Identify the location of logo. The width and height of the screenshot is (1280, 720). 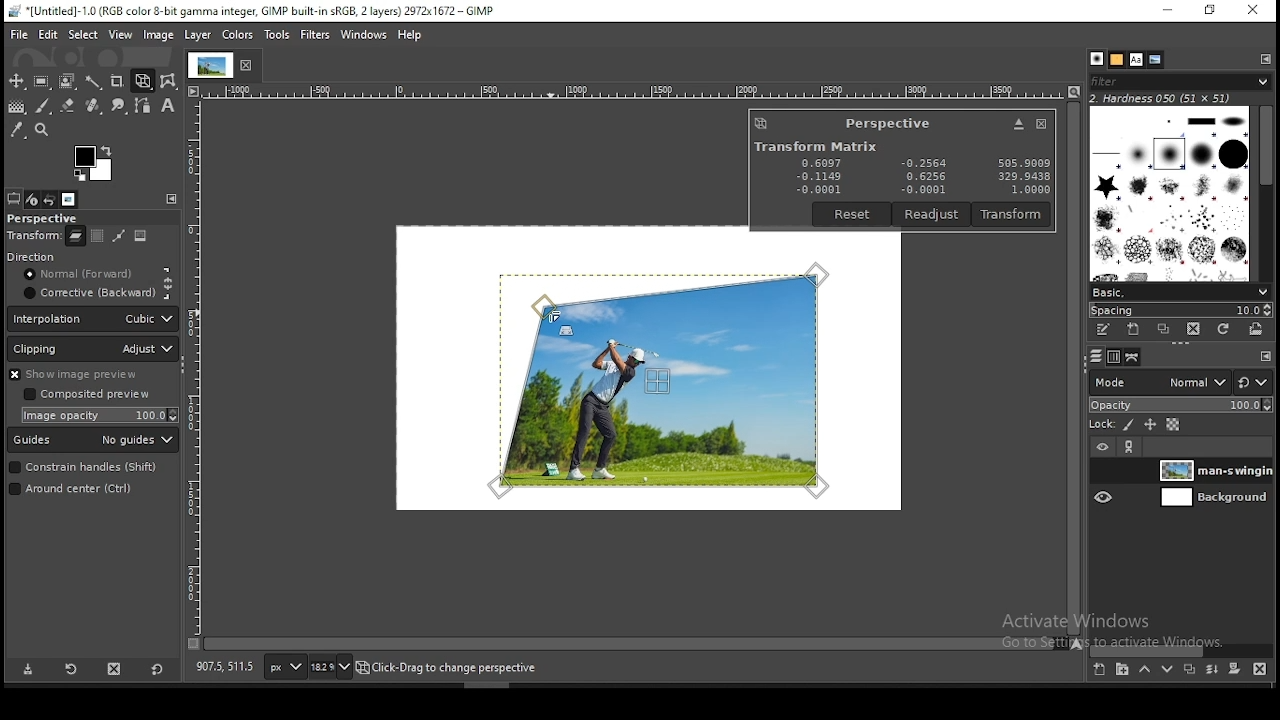
(761, 123).